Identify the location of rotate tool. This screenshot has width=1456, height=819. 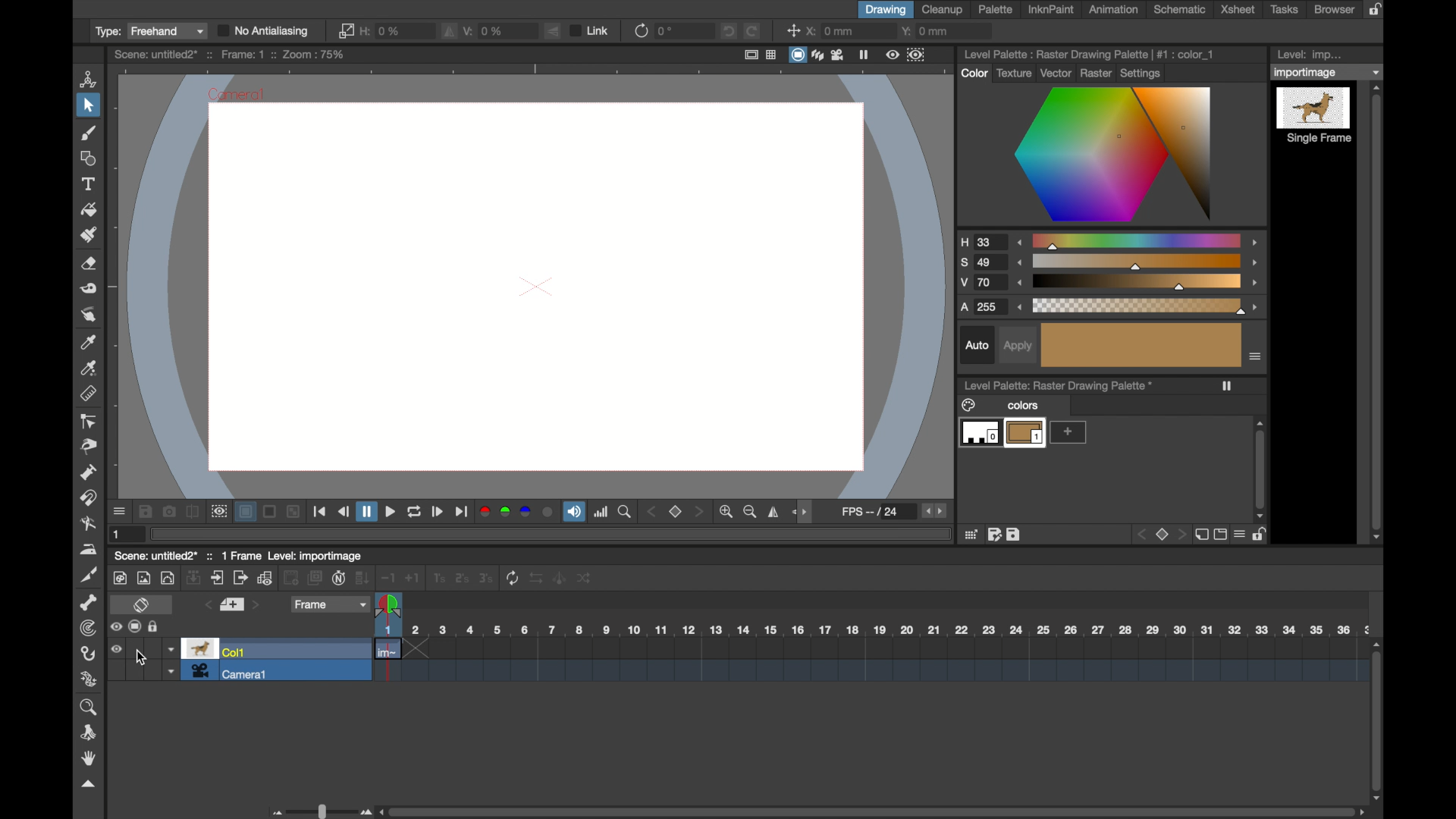
(91, 732).